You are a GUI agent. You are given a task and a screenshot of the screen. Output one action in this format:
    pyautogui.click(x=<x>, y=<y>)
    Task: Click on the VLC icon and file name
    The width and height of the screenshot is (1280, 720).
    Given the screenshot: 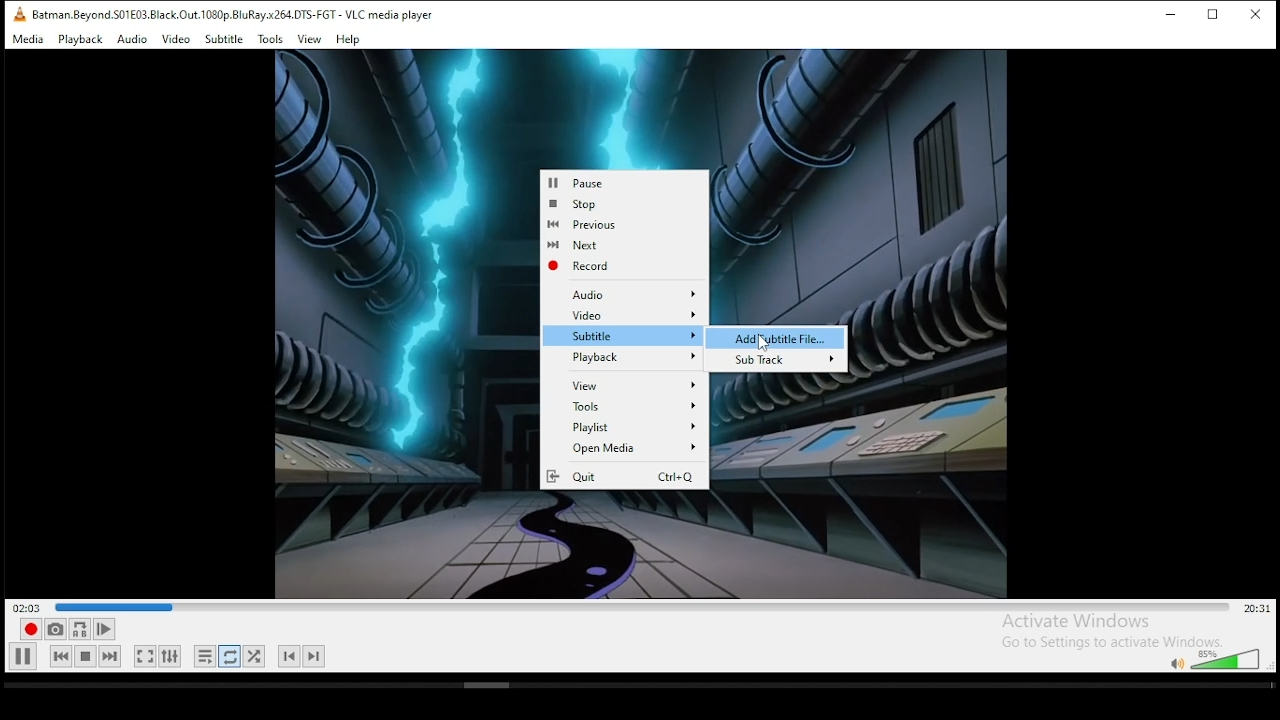 What is the action you would take?
    pyautogui.click(x=218, y=14)
    